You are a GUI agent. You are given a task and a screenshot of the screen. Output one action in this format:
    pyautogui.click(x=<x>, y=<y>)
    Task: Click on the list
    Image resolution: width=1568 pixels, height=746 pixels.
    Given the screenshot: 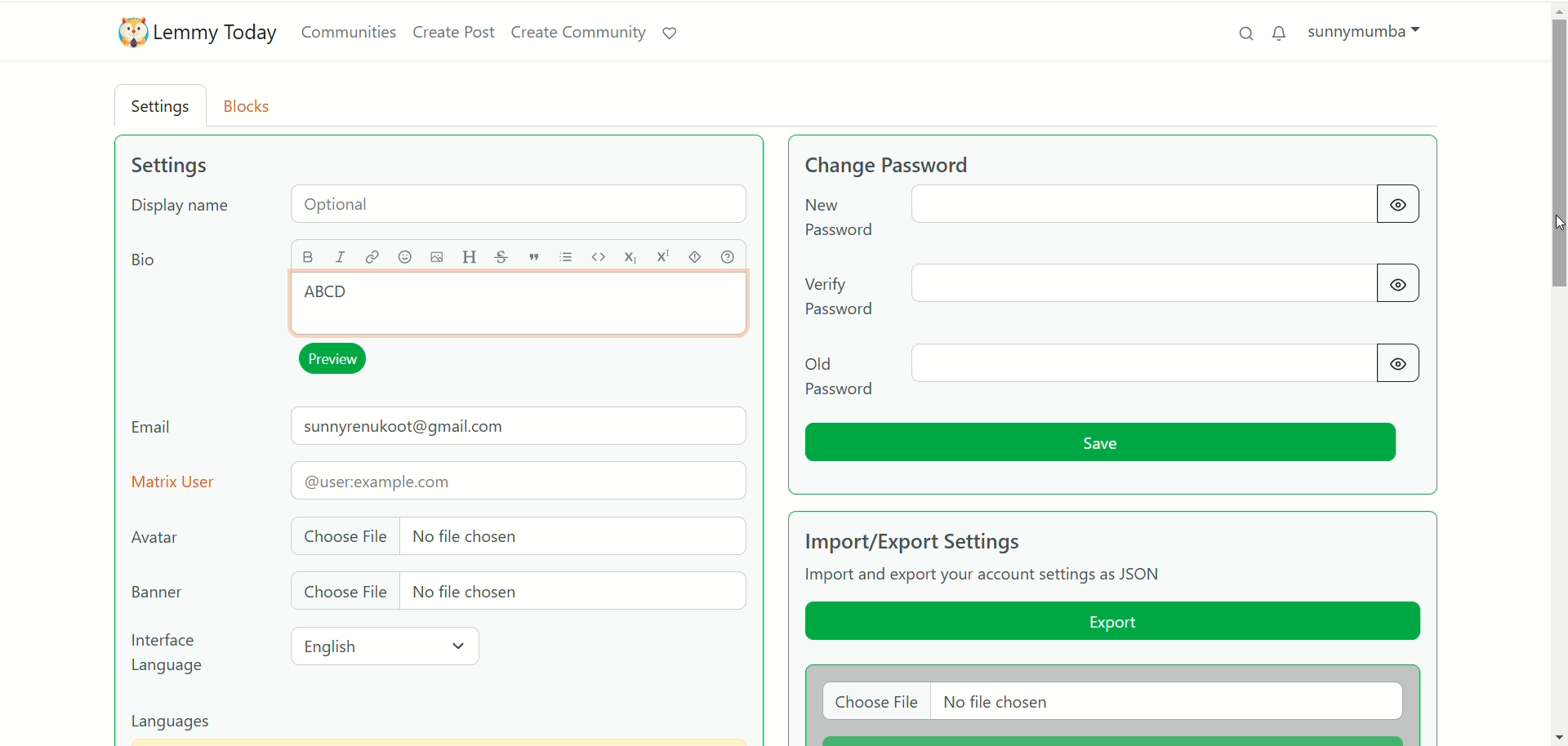 What is the action you would take?
    pyautogui.click(x=569, y=257)
    